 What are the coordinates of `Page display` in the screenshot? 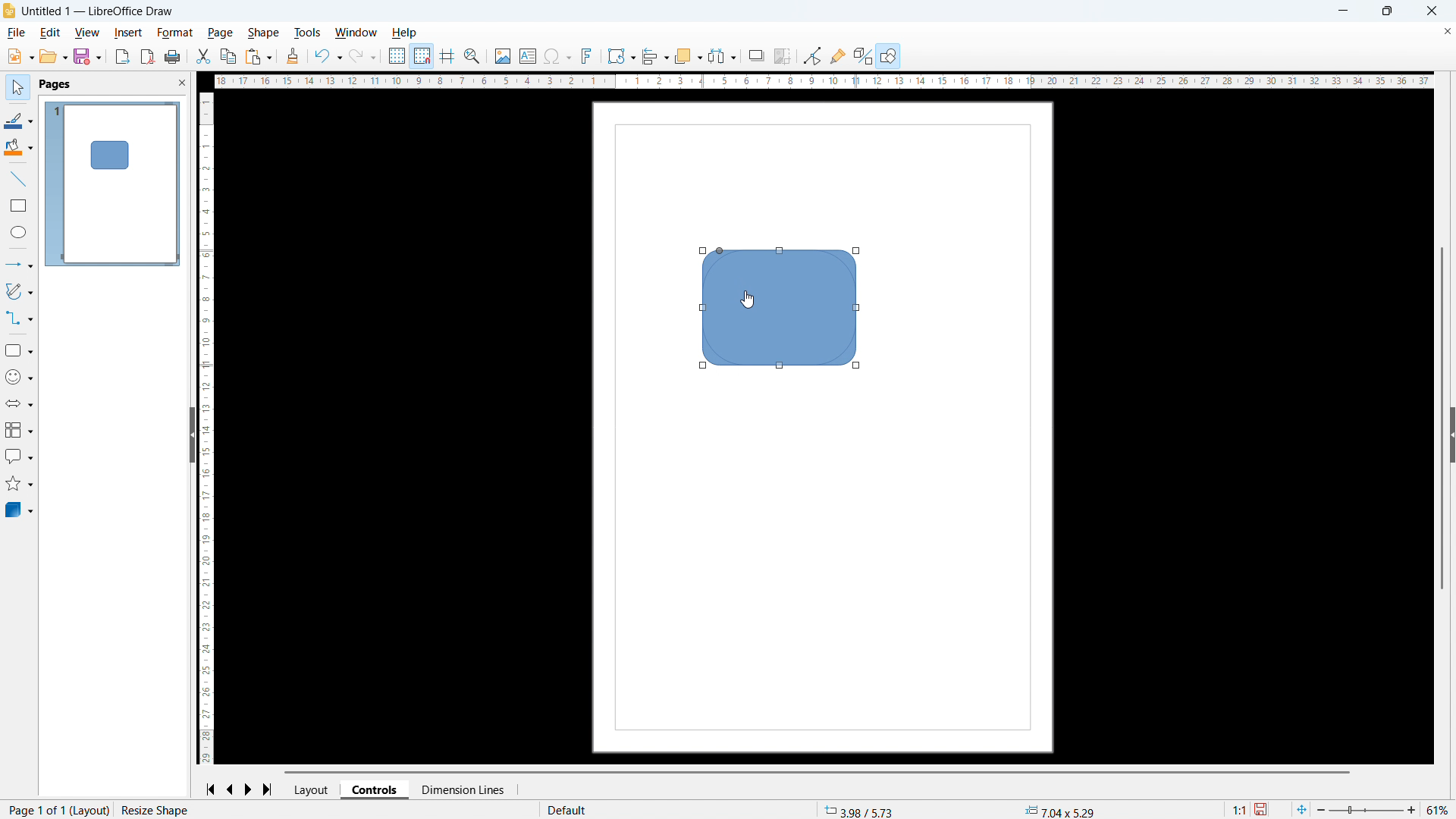 It's located at (112, 183).